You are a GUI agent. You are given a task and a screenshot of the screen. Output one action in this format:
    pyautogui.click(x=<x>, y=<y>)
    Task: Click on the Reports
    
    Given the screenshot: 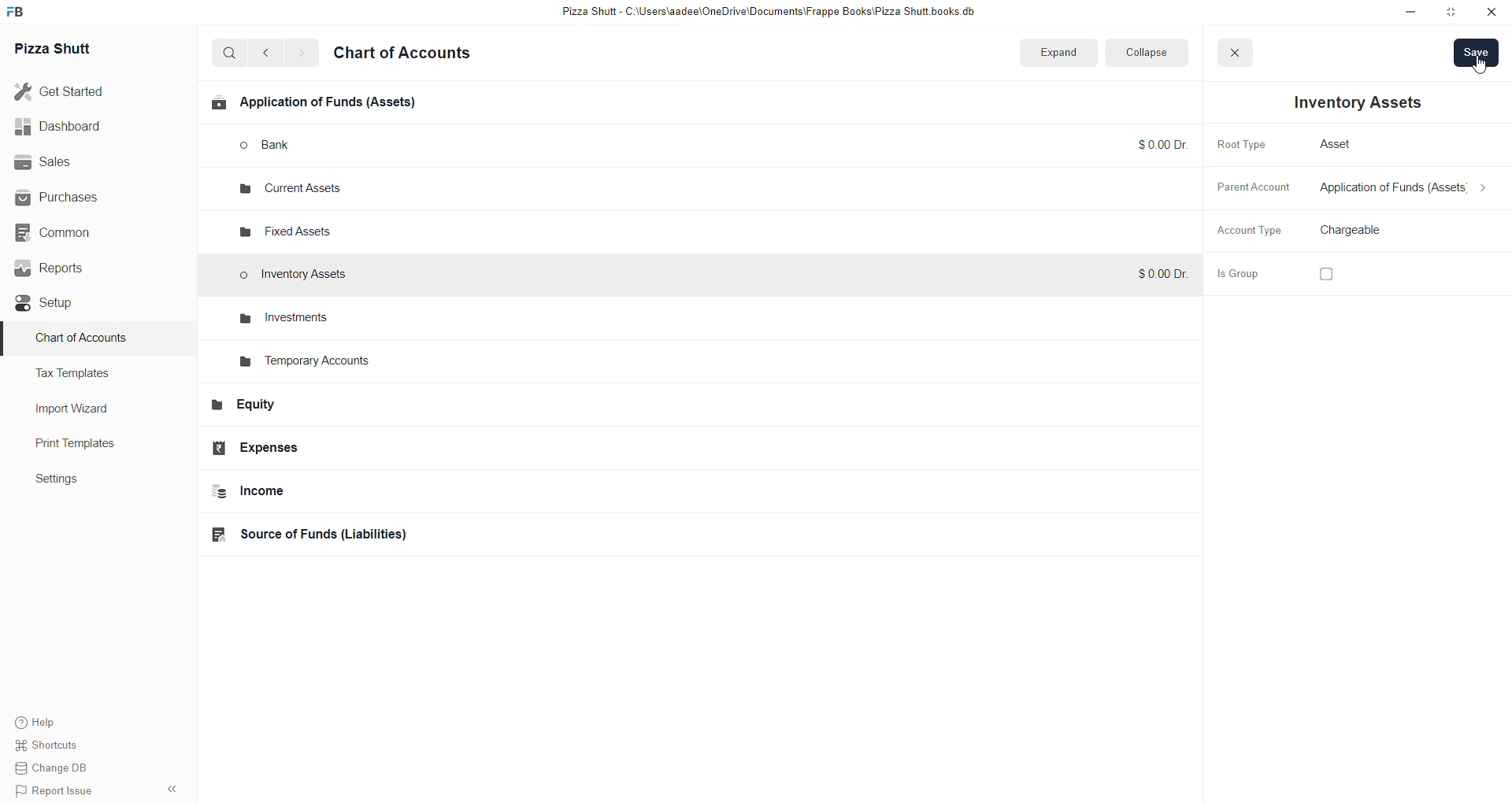 What is the action you would take?
    pyautogui.click(x=69, y=270)
    